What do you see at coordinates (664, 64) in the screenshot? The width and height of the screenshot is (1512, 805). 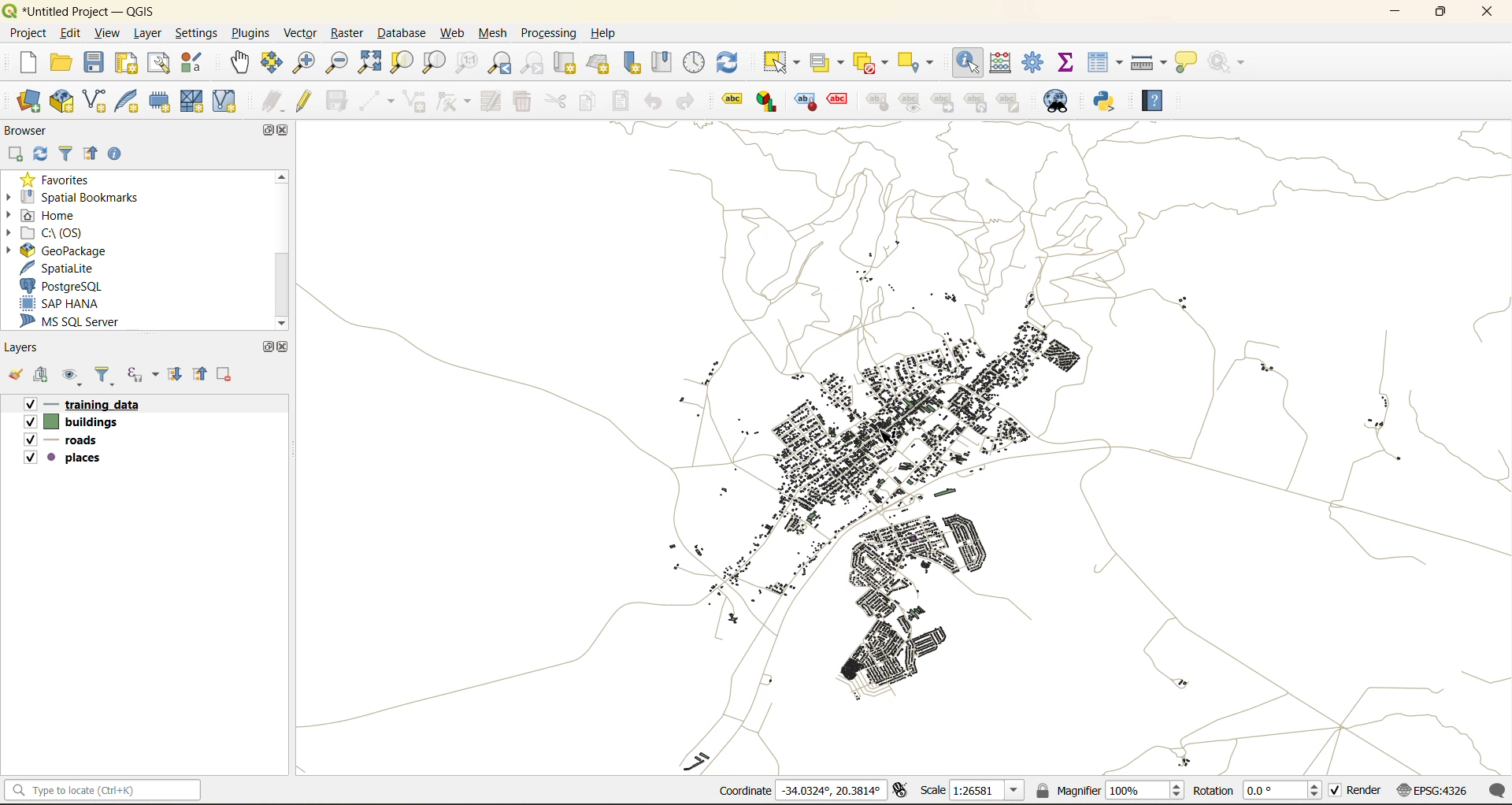 I see `show spatial bookmark` at bounding box center [664, 64].